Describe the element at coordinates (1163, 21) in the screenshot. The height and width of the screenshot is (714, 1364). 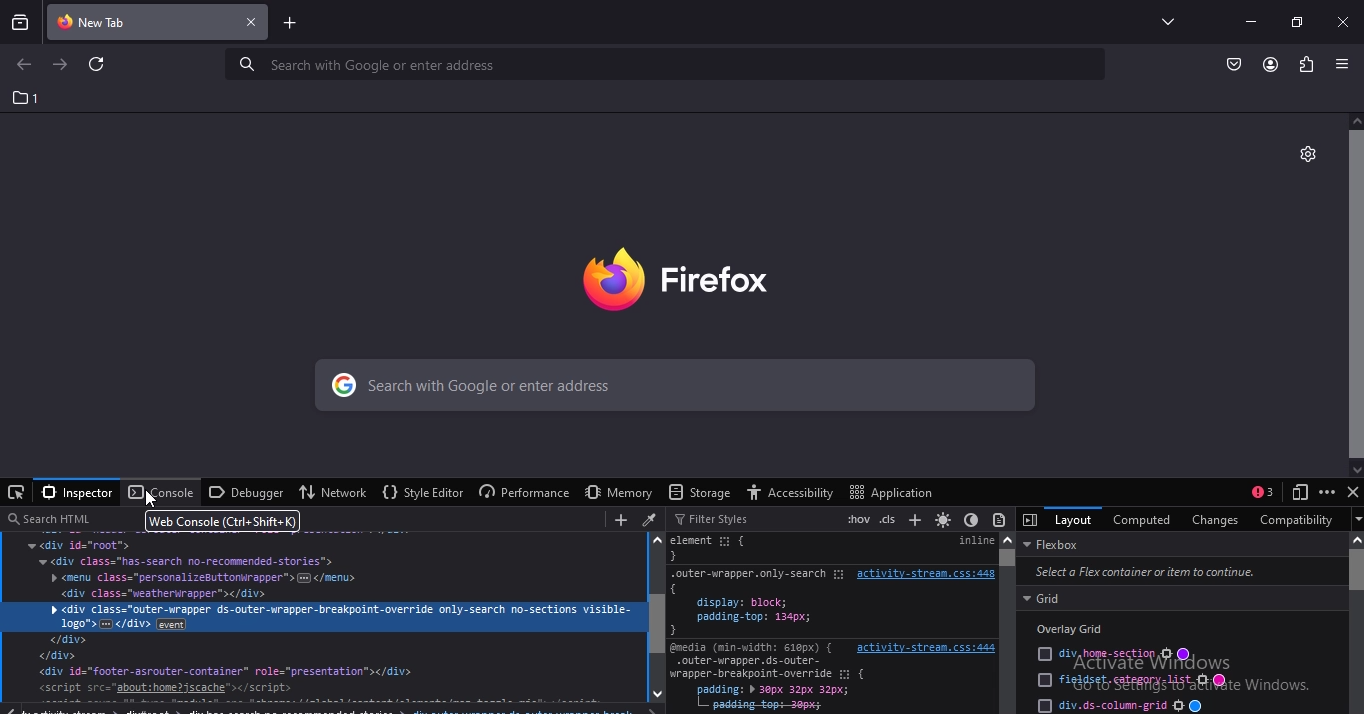
I see `list all tabs` at that location.